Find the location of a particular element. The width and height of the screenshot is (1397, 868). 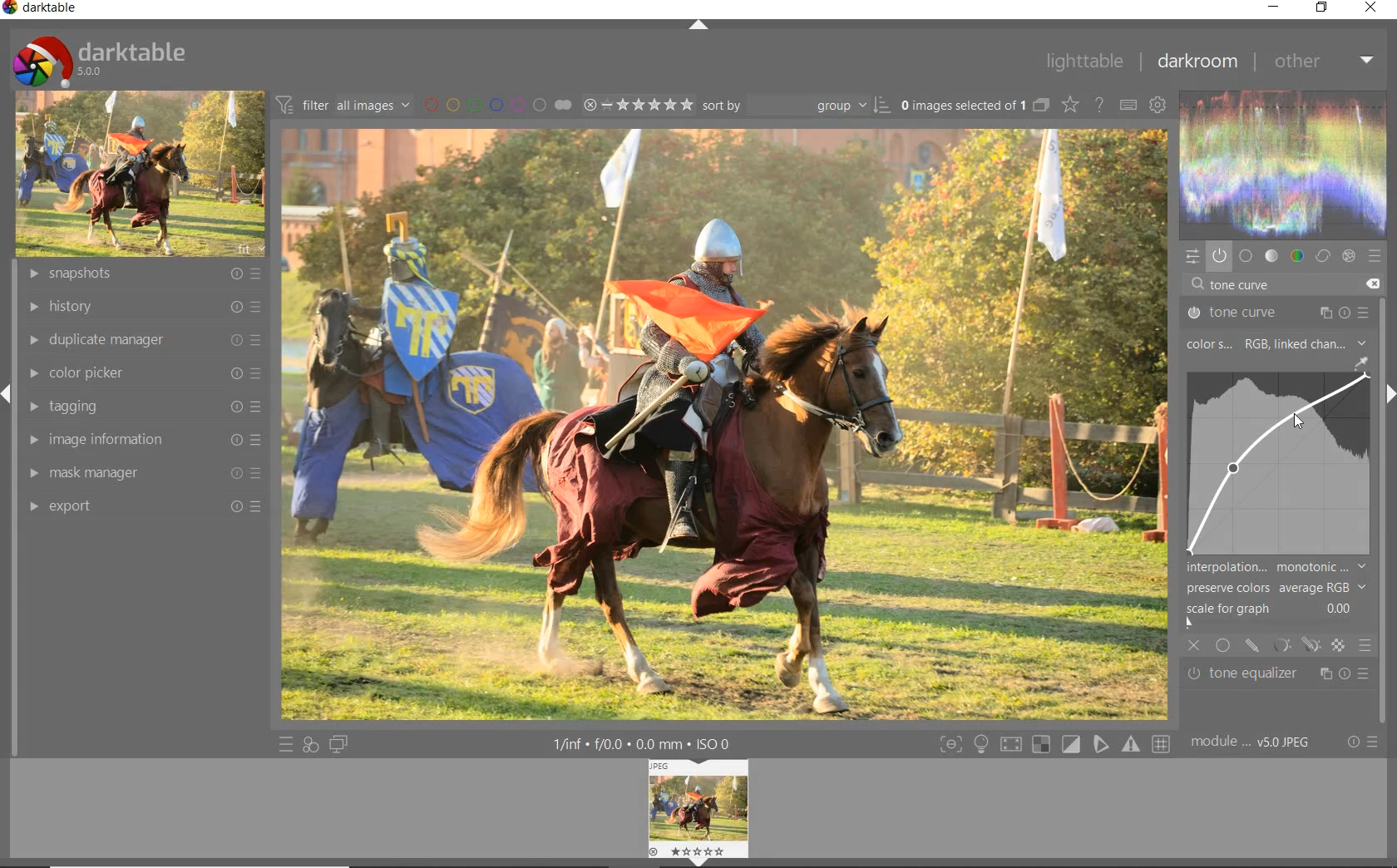

tone is located at coordinates (1272, 256).